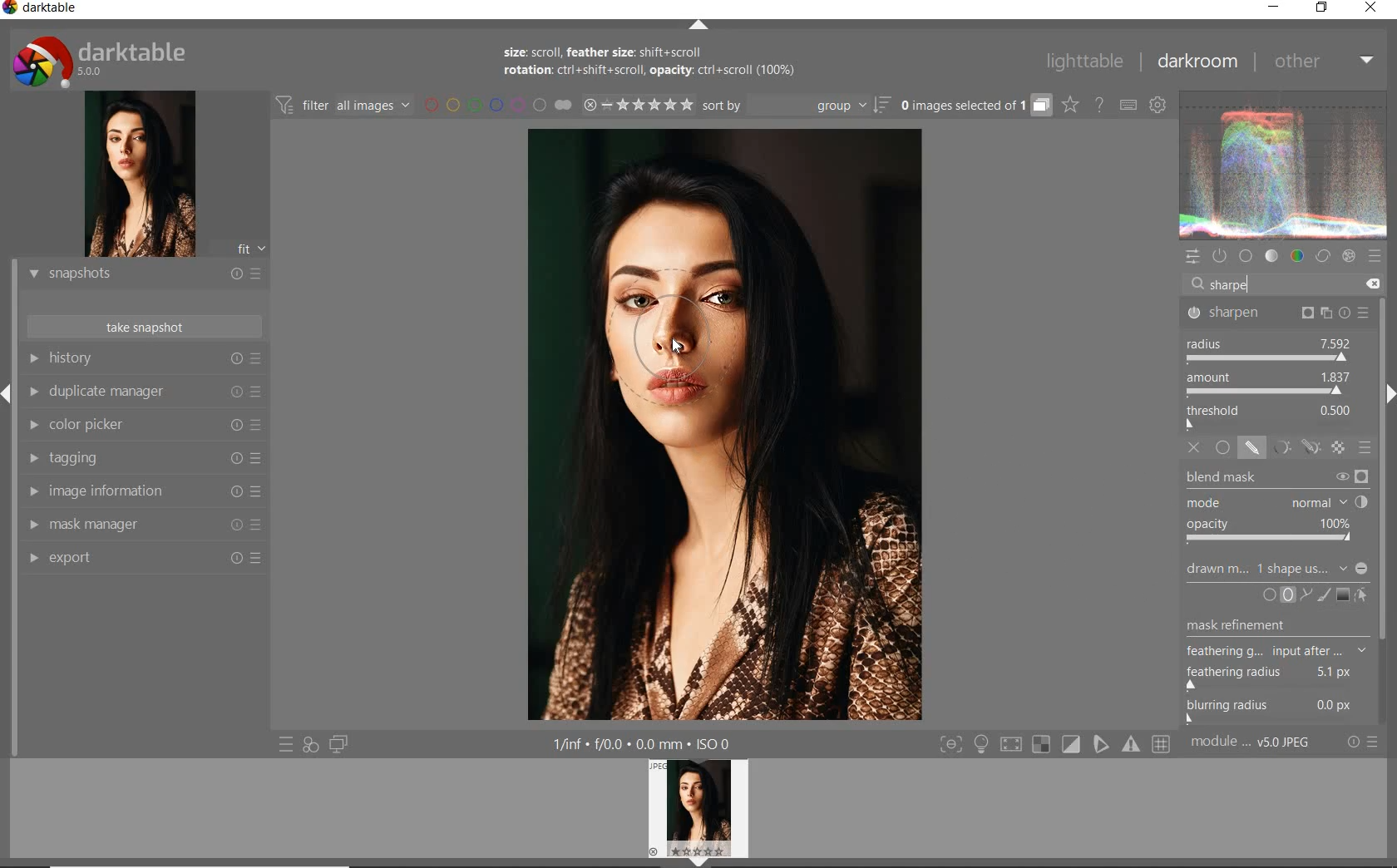 This screenshot has height=868, width=1397. What do you see at coordinates (1292, 447) in the screenshot?
I see `MASK MODES` at bounding box center [1292, 447].